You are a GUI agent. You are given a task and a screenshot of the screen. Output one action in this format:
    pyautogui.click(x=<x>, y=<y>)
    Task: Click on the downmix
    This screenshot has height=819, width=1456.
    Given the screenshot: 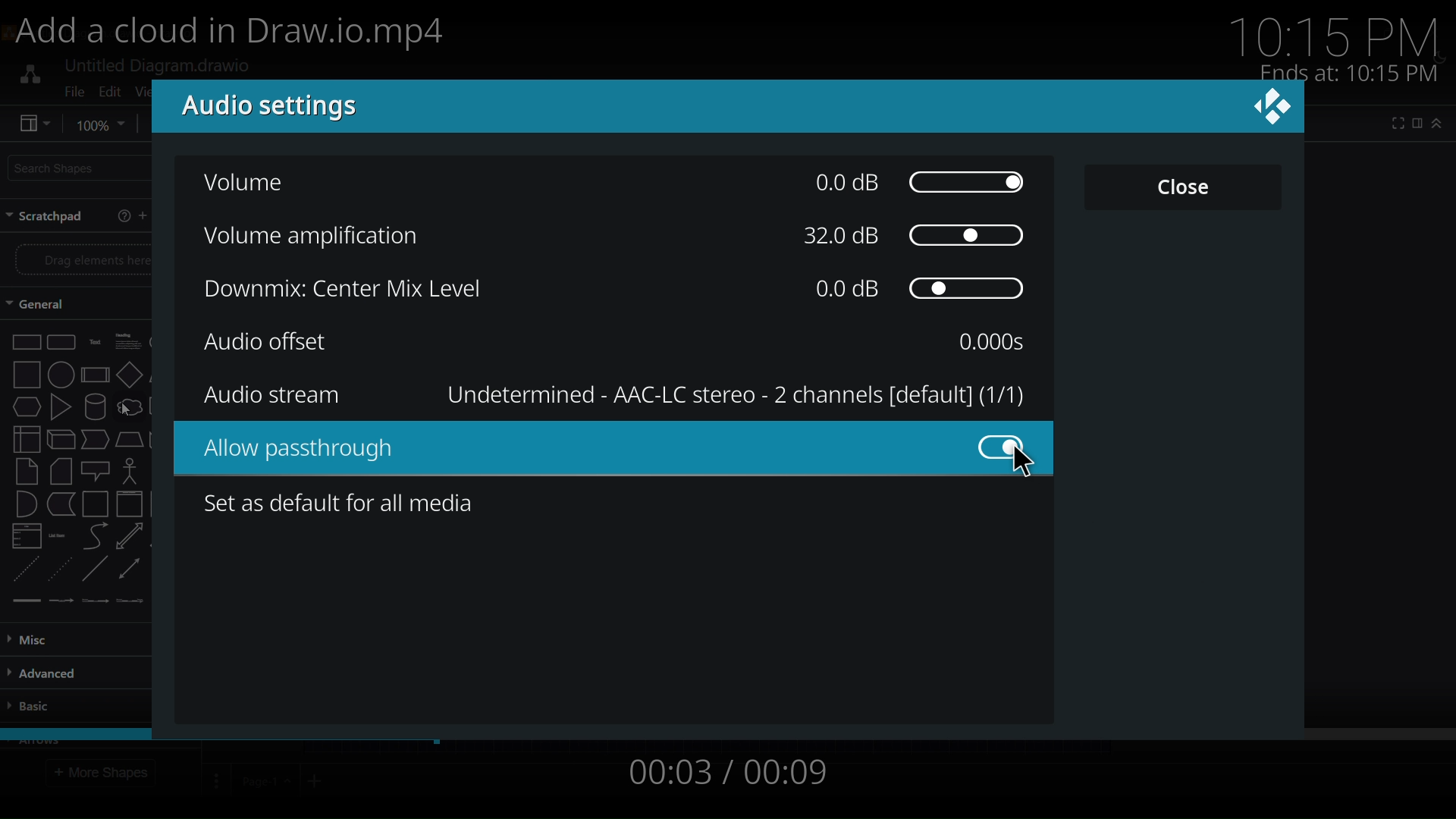 What is the action you would take?
    pyautogui.click(x=334, y=293)
    